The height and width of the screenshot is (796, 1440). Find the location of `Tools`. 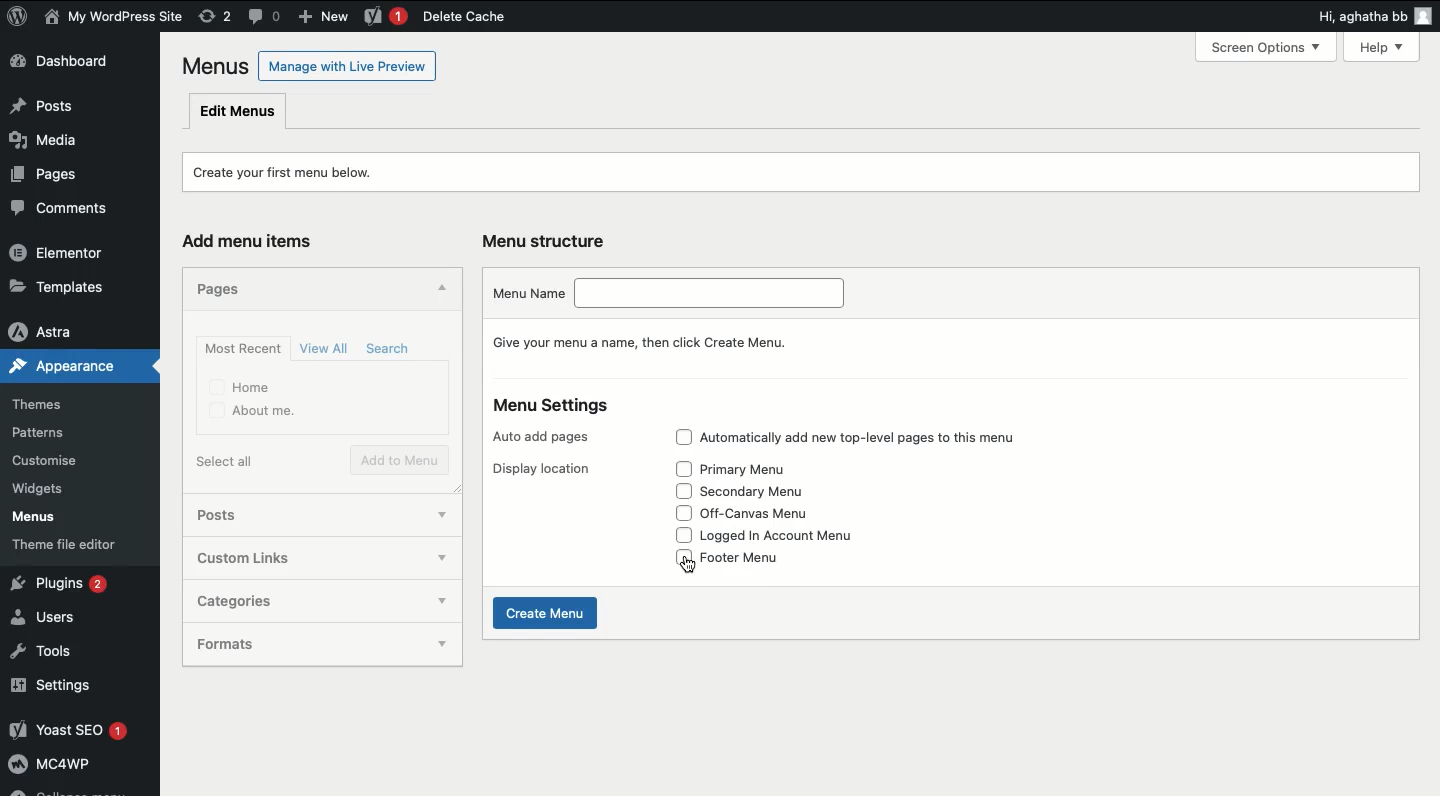

Tools is located at coordinates (50, 652).